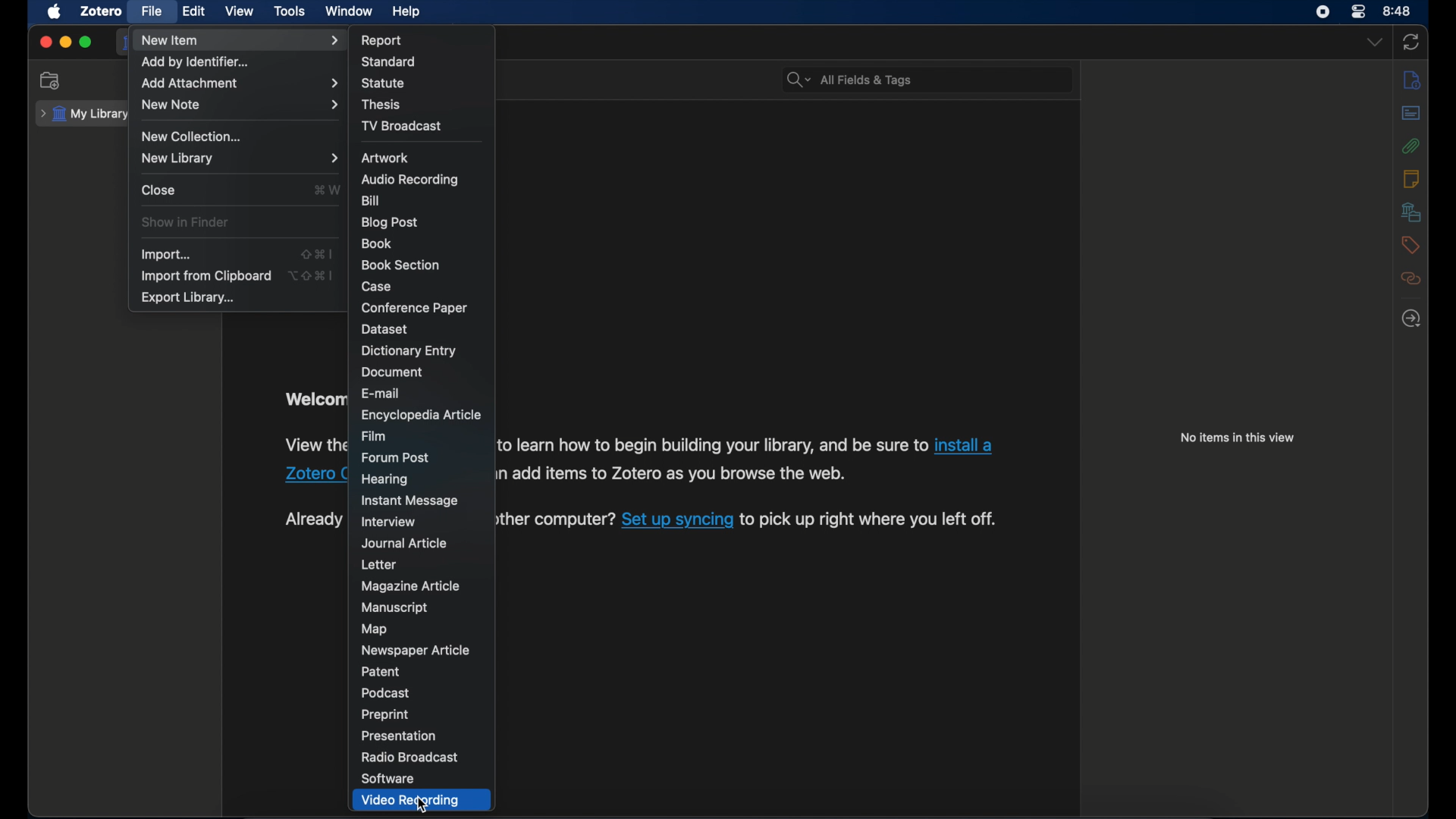 The height and width of the screenshot is (819, 1456). Describe the element at coordinates (86, 42) in the screenshot. I see `maximize` at that location.